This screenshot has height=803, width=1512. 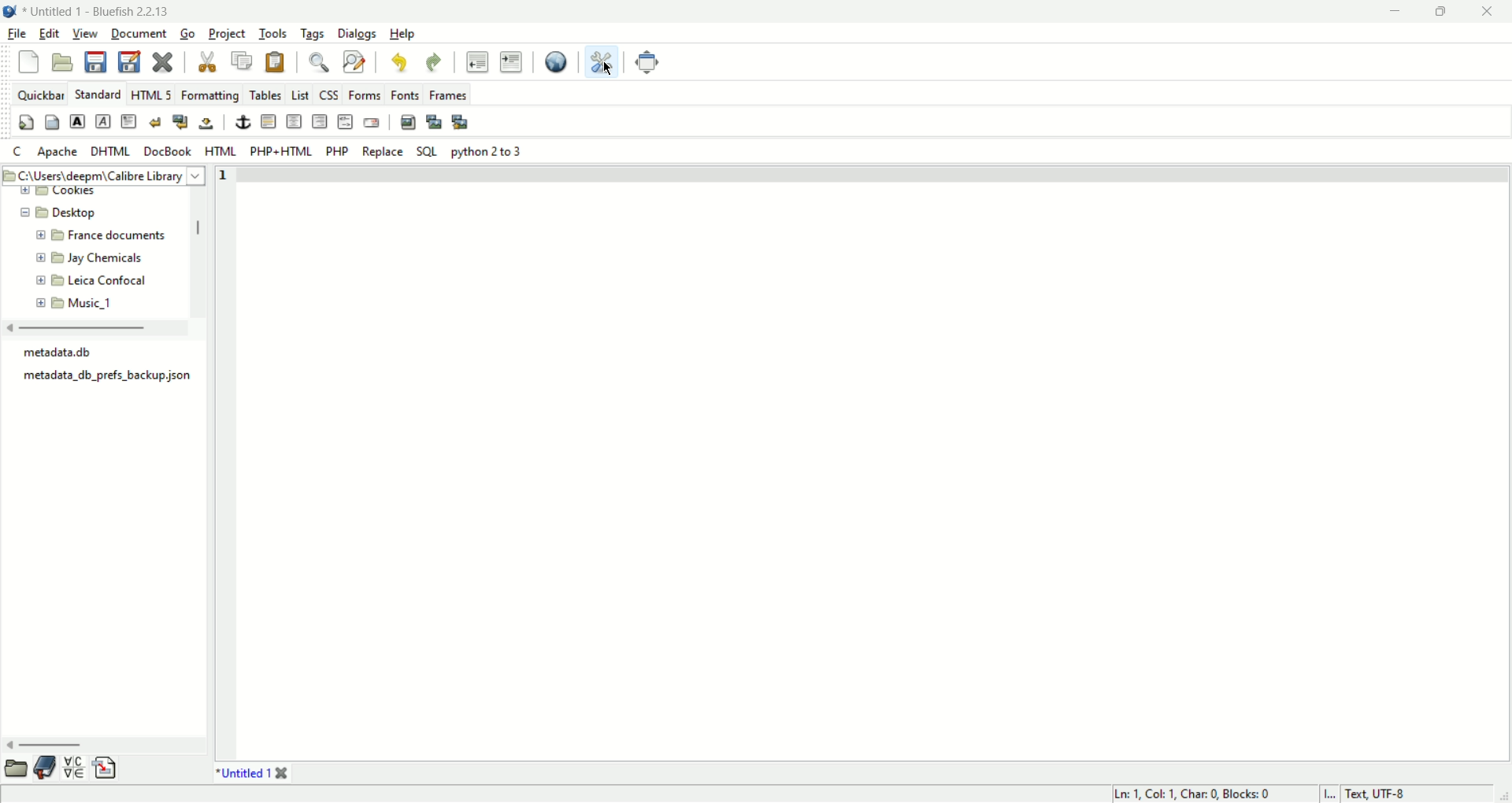 I want to click on Text,UTF-8, so click(x=1380, y=793).